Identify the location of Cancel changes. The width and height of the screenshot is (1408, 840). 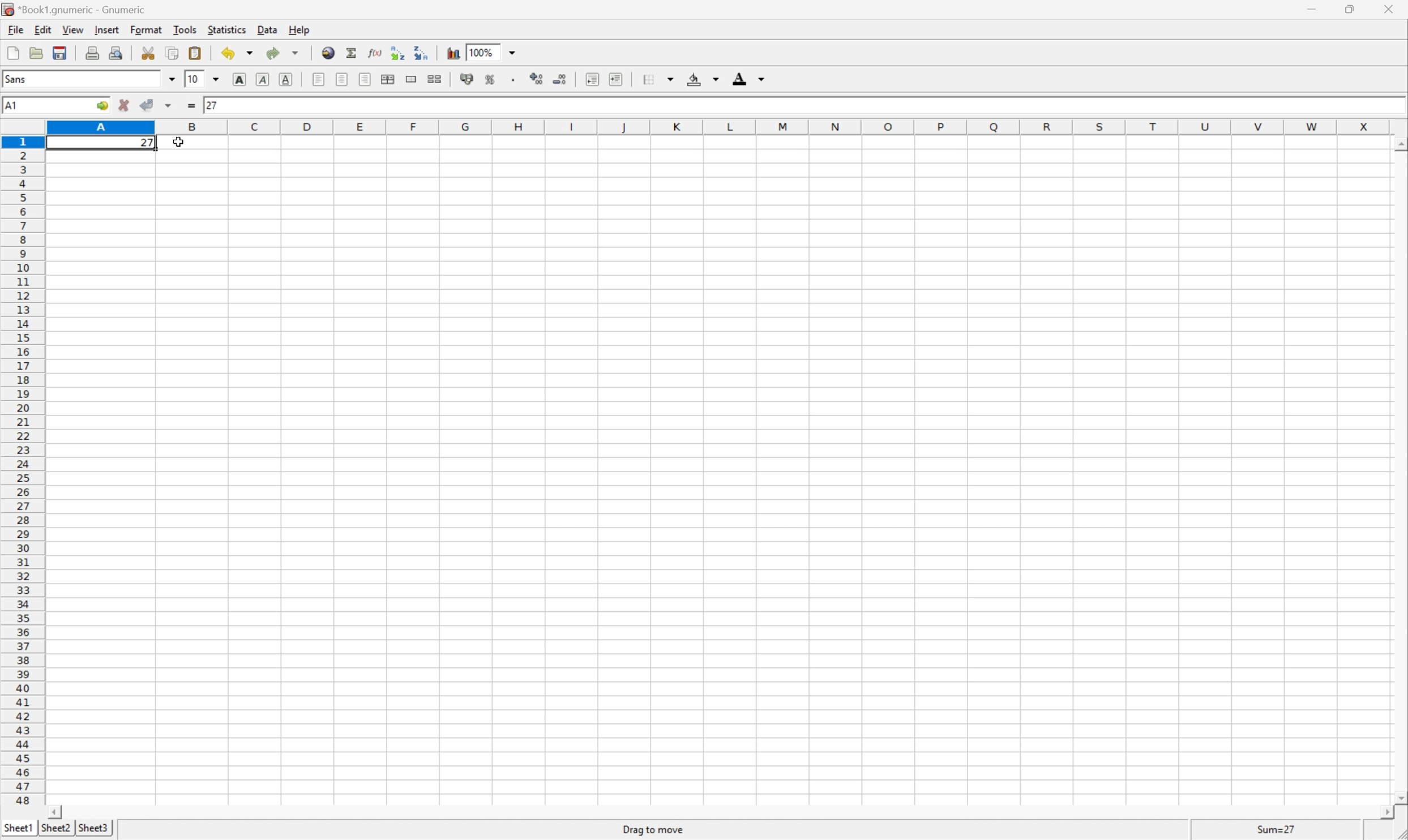
(126, 104).